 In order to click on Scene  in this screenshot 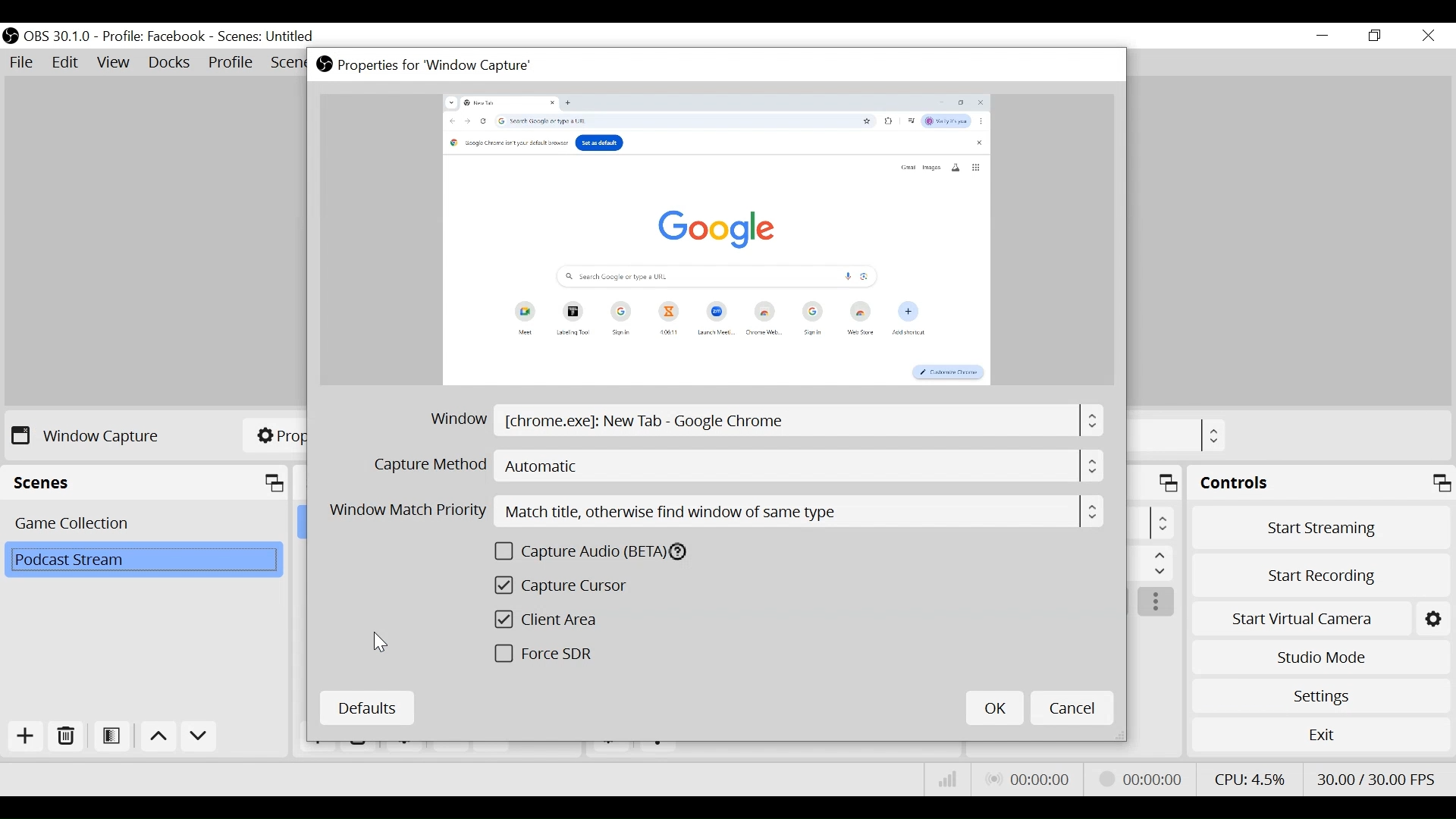, I will do `click(145, 560)`.